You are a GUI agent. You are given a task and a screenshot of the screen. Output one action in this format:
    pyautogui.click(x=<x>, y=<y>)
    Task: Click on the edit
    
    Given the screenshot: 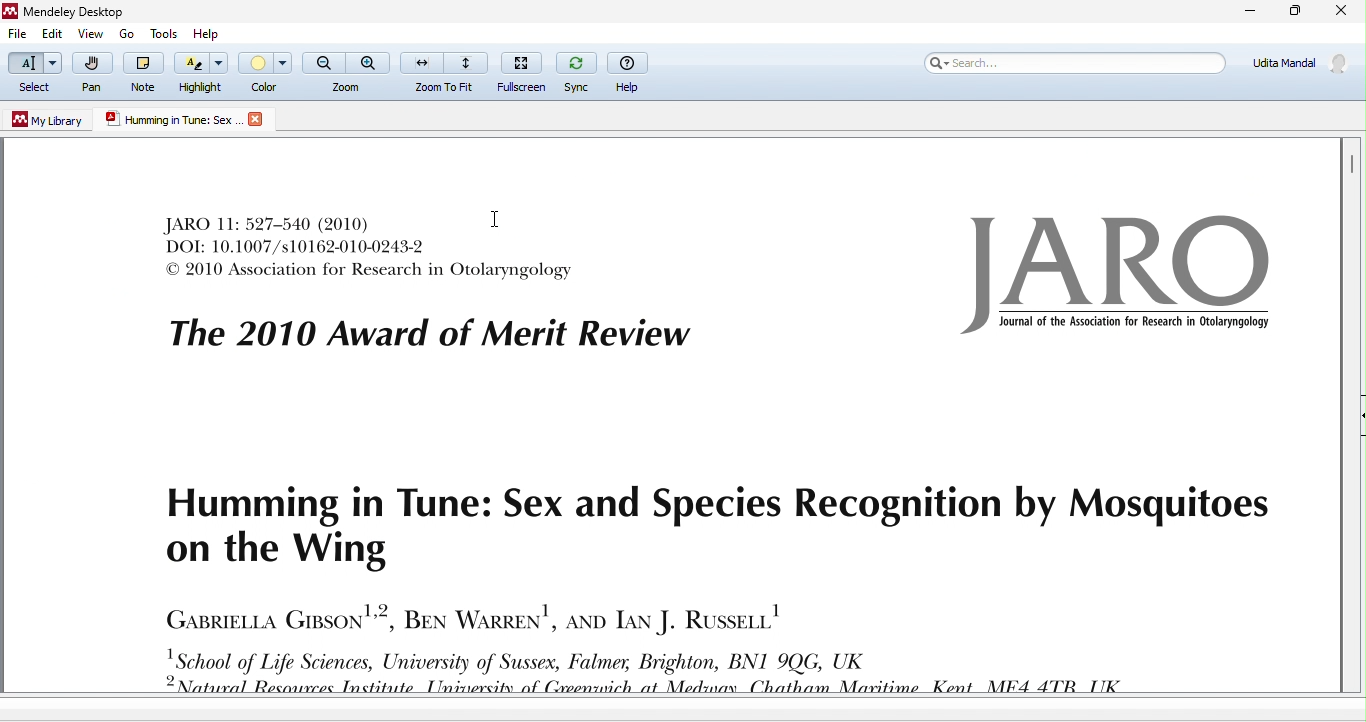 What is the action you would take?
    pyautogui.click(x=58, y=33)
    